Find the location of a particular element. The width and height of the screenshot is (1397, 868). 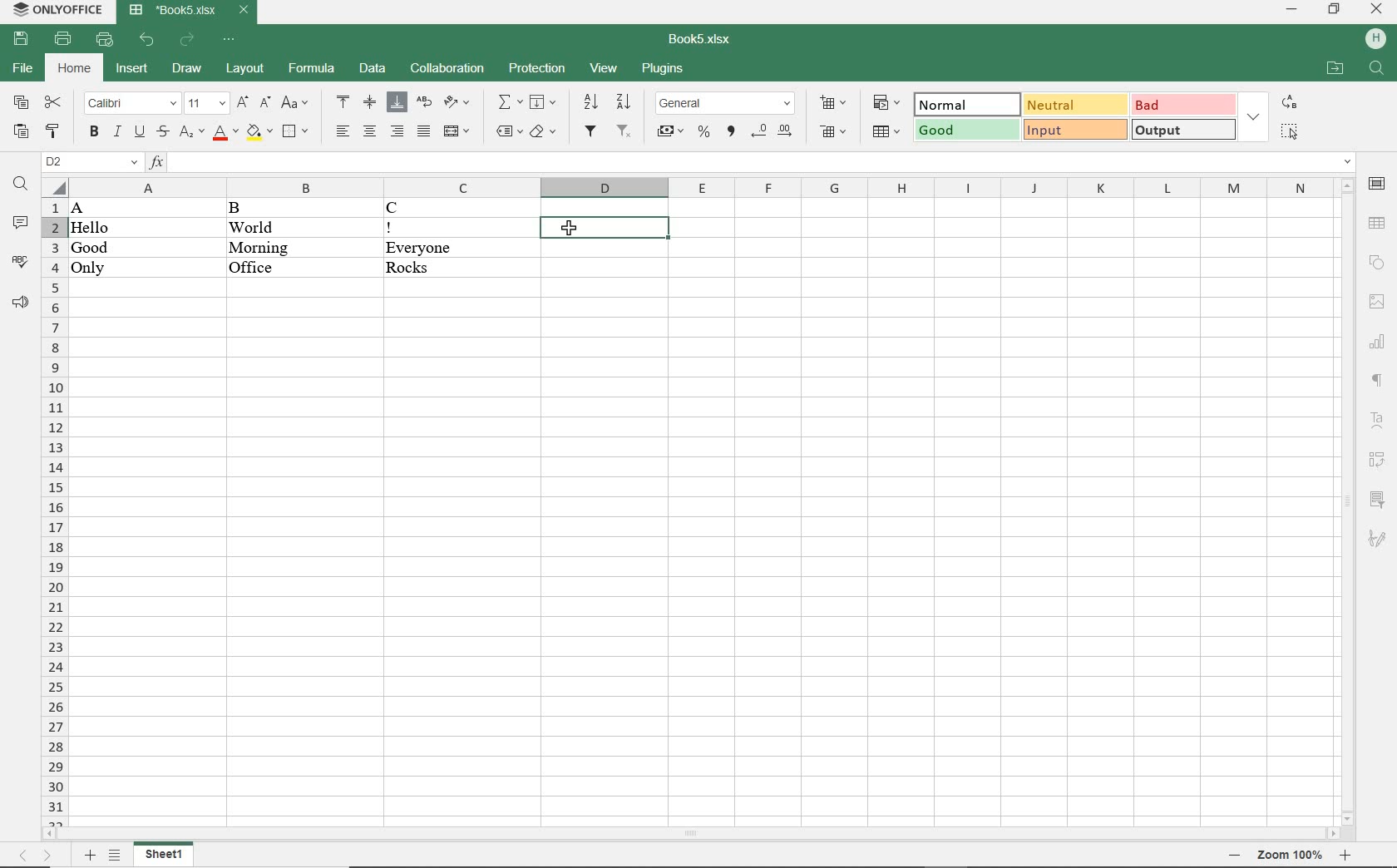

CUSTOMIZE QUICK ACCESS TOOLBAR is located at coordinates (230, 40).